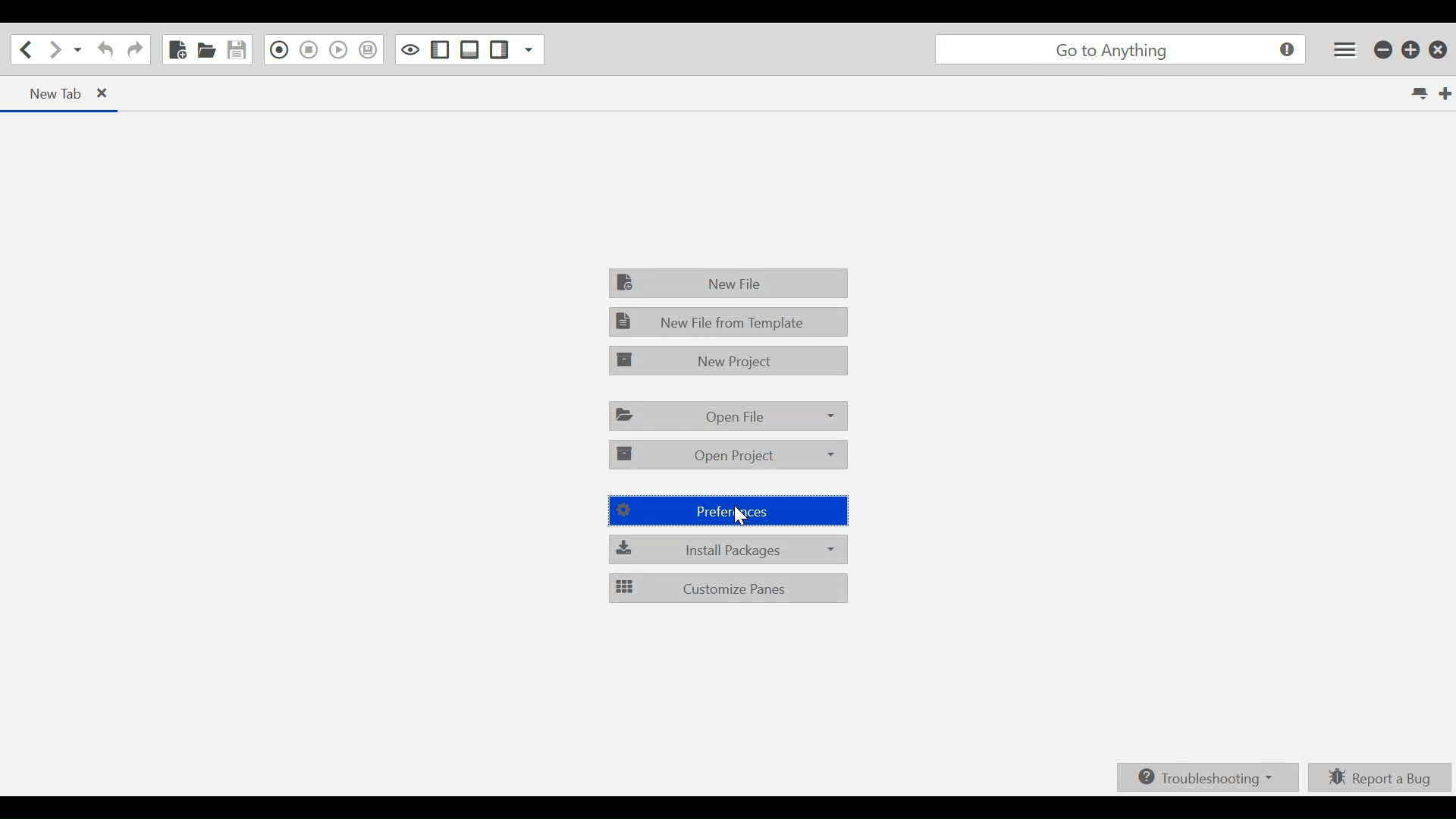  What do you see at coordinates (24, 49) in the screenshot?
I see `Go back onelocation` at bounding box center [24, 49].